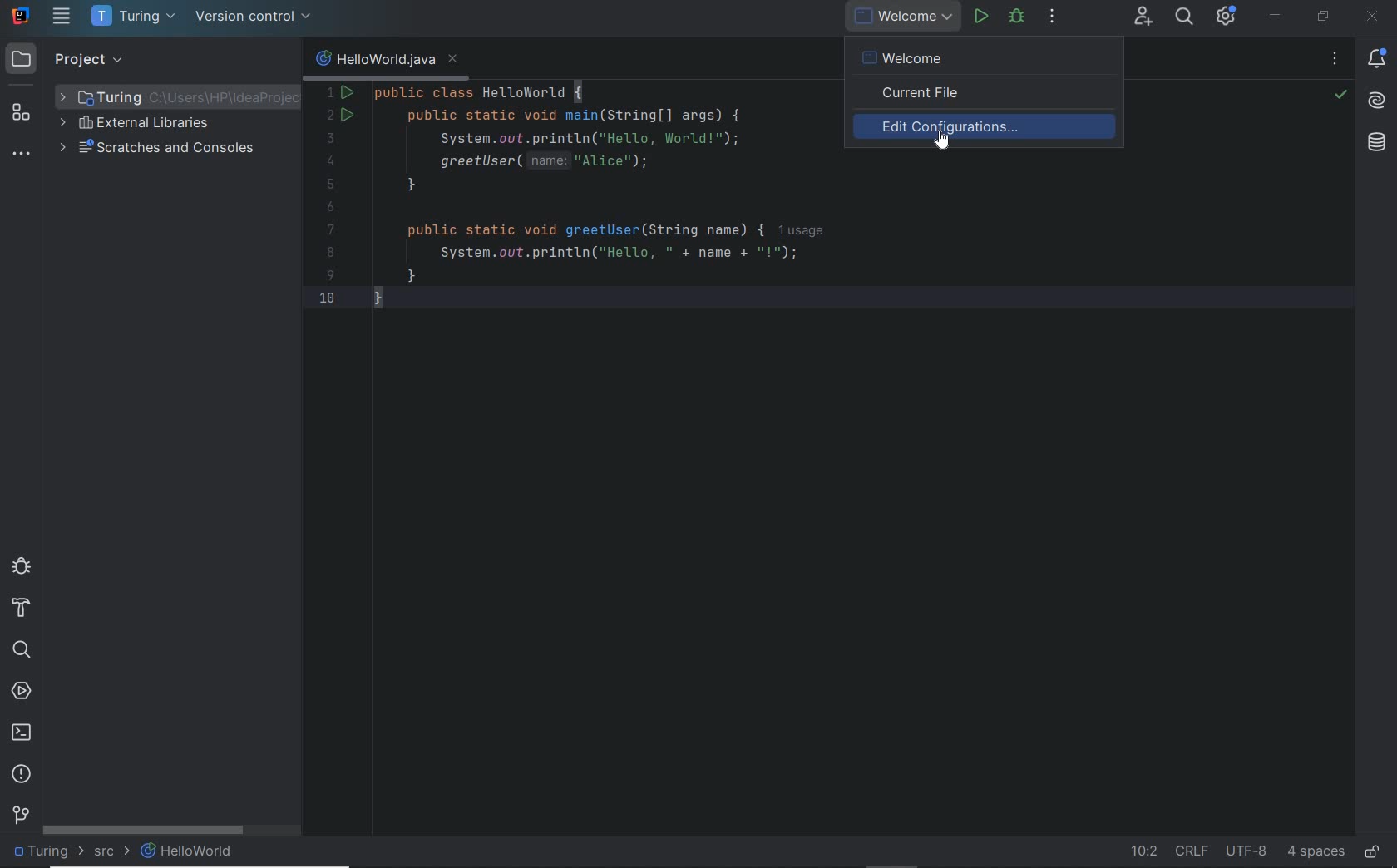 This screenshot has width=1397, height=868. Describe the element at coordinates (22, 113) in the screenshot. I see `structure` at that location.